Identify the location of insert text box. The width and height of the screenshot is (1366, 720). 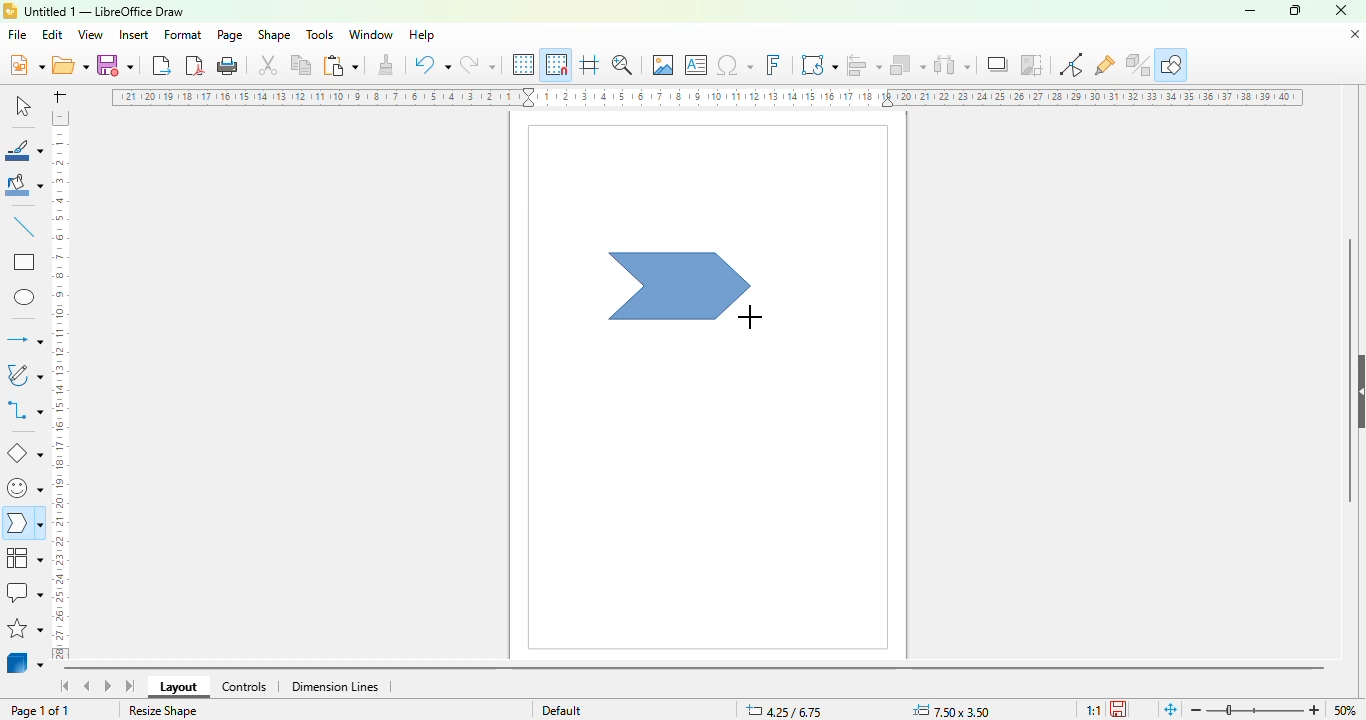
(697, 65).